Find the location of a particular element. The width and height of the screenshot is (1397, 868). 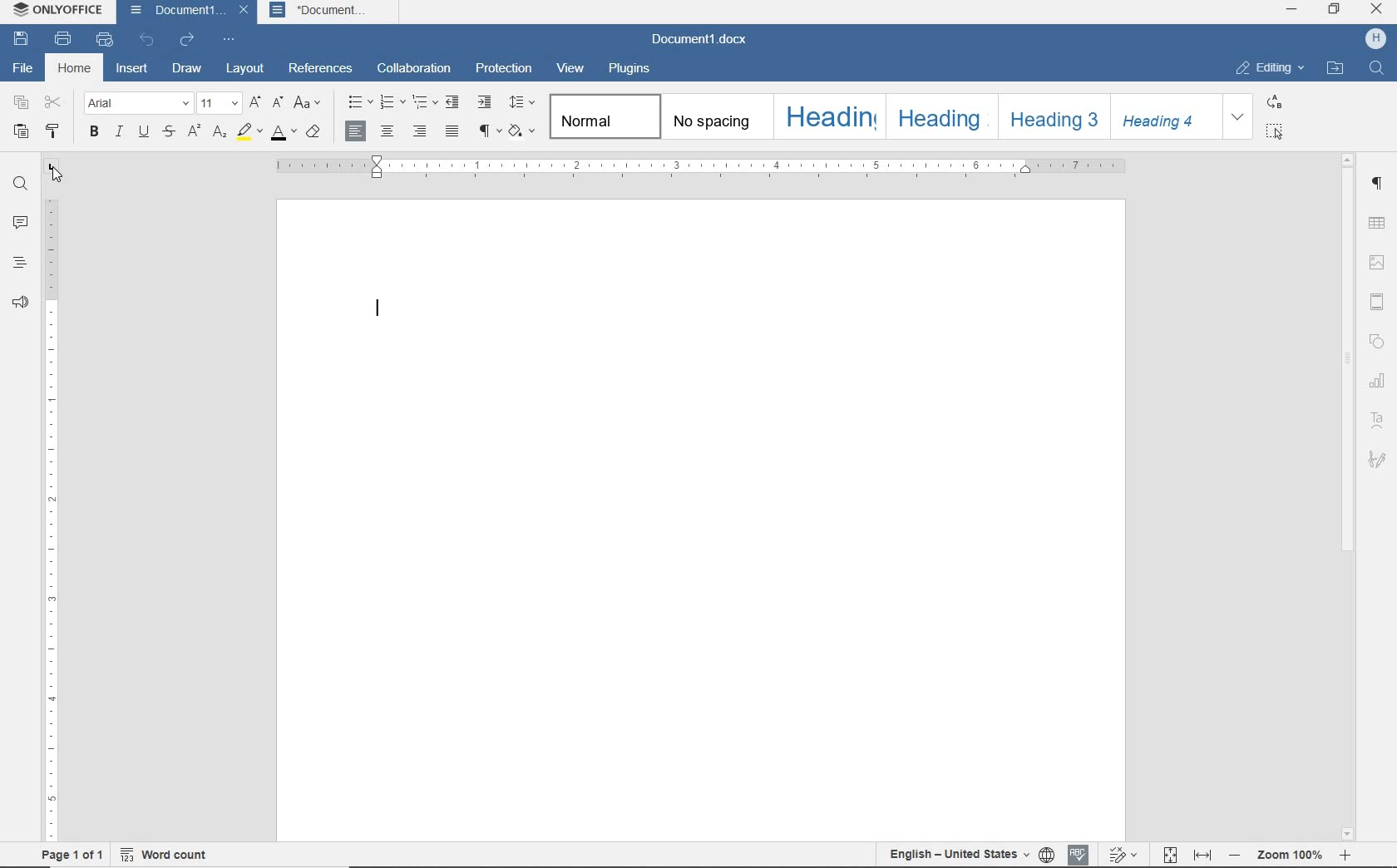

HEADING 4 is located at coordinates (1164, 116).